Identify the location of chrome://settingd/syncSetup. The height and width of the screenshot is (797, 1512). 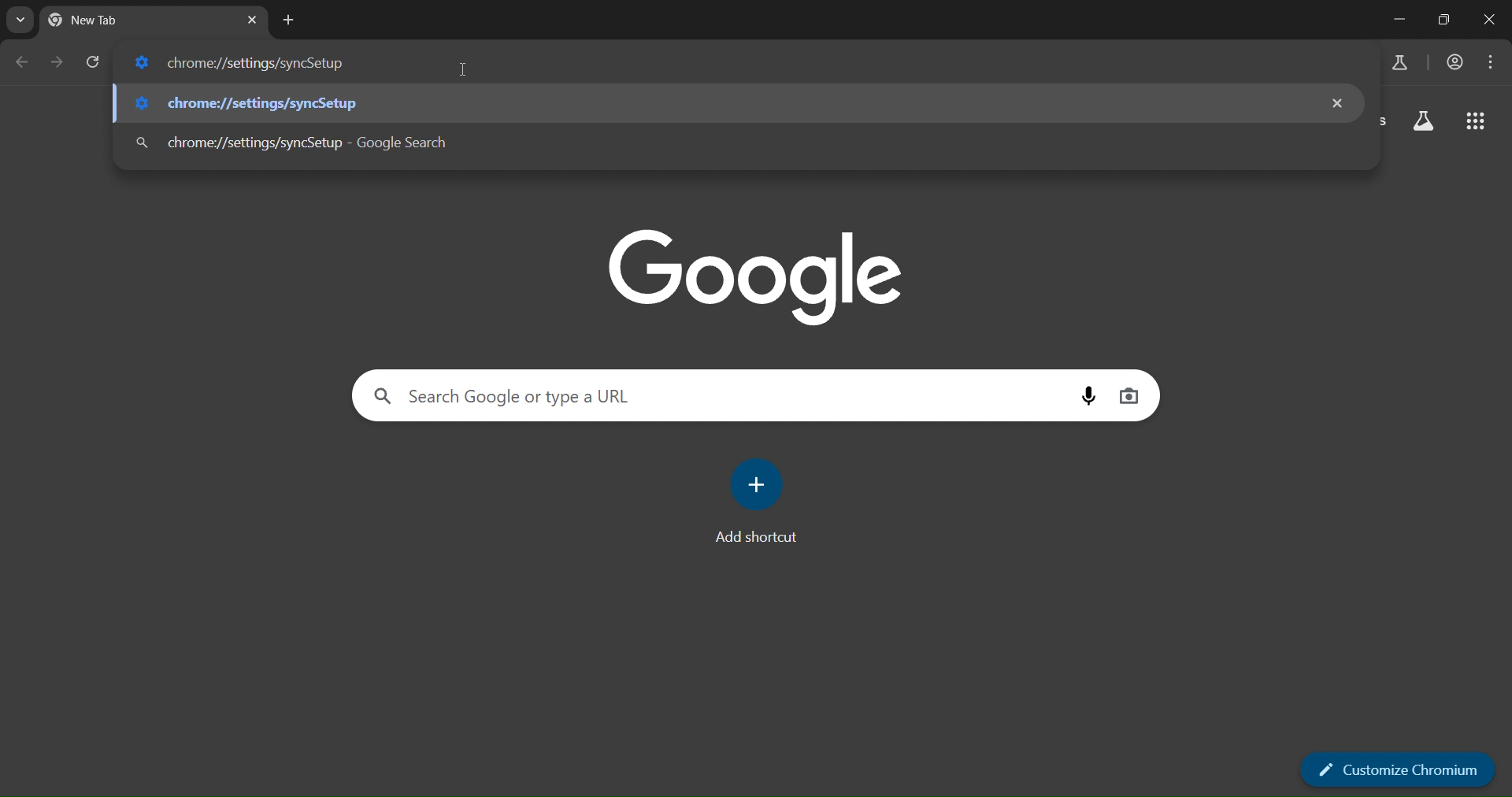
(246, 61).